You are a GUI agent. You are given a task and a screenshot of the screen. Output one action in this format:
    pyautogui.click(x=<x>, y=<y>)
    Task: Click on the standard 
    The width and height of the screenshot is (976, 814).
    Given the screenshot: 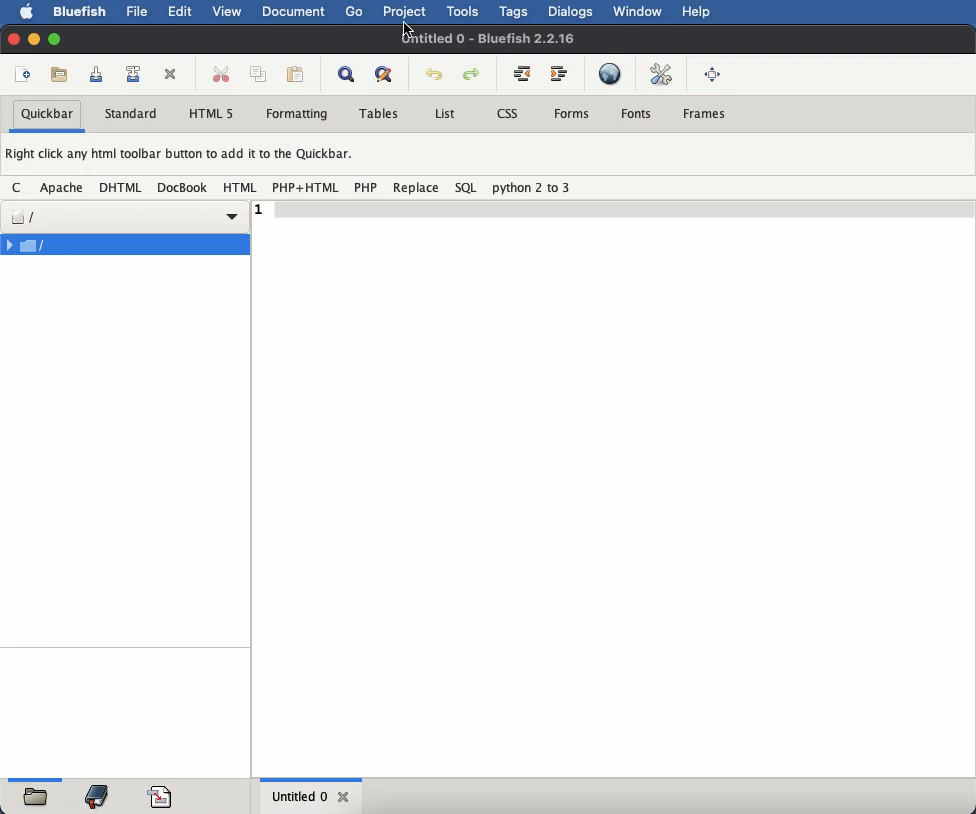 What is the action you would take?
    pyautogui.click(x=134, y=115)
    